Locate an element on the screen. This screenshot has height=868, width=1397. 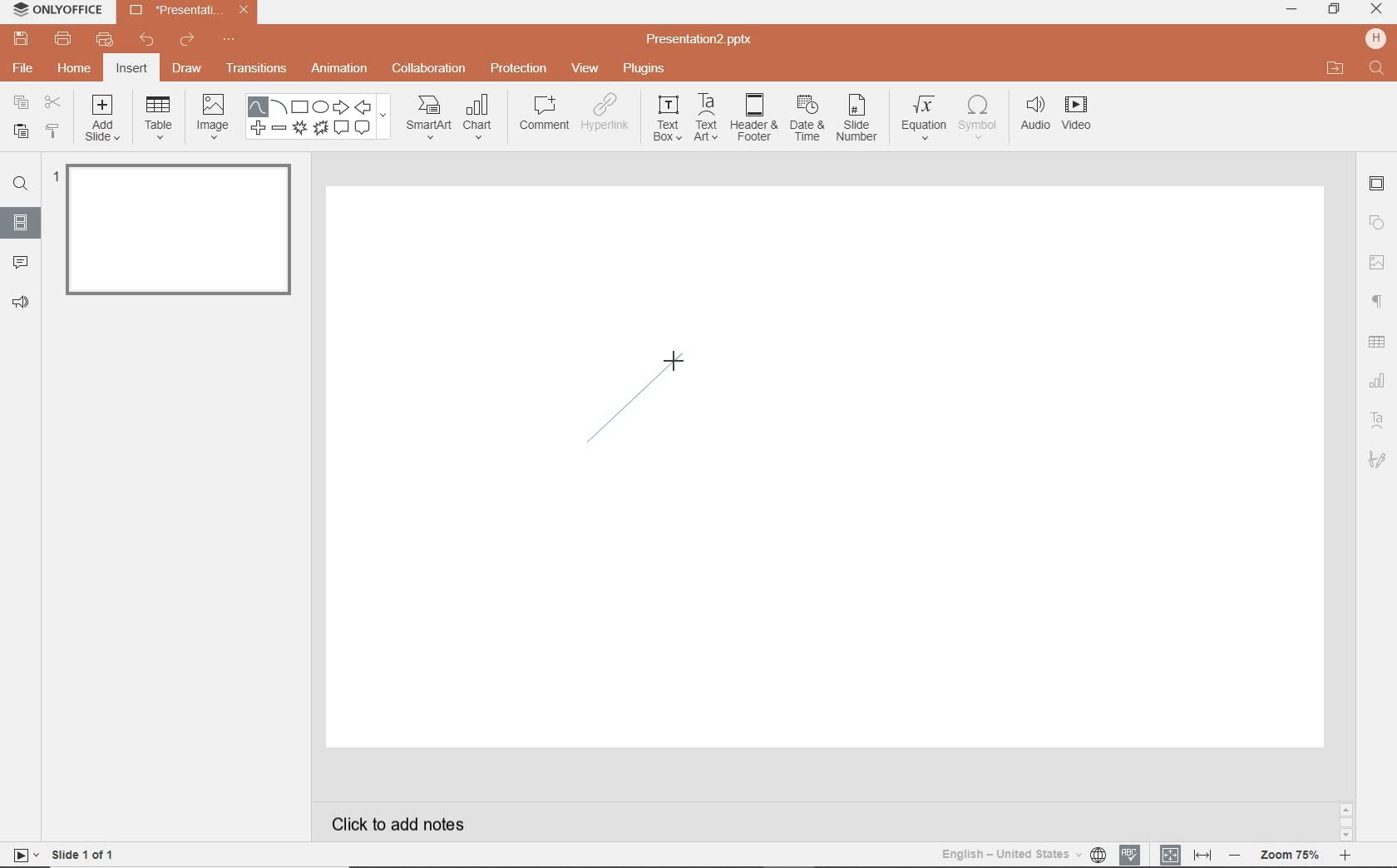
PASTE is located at coordinates (19, 131).